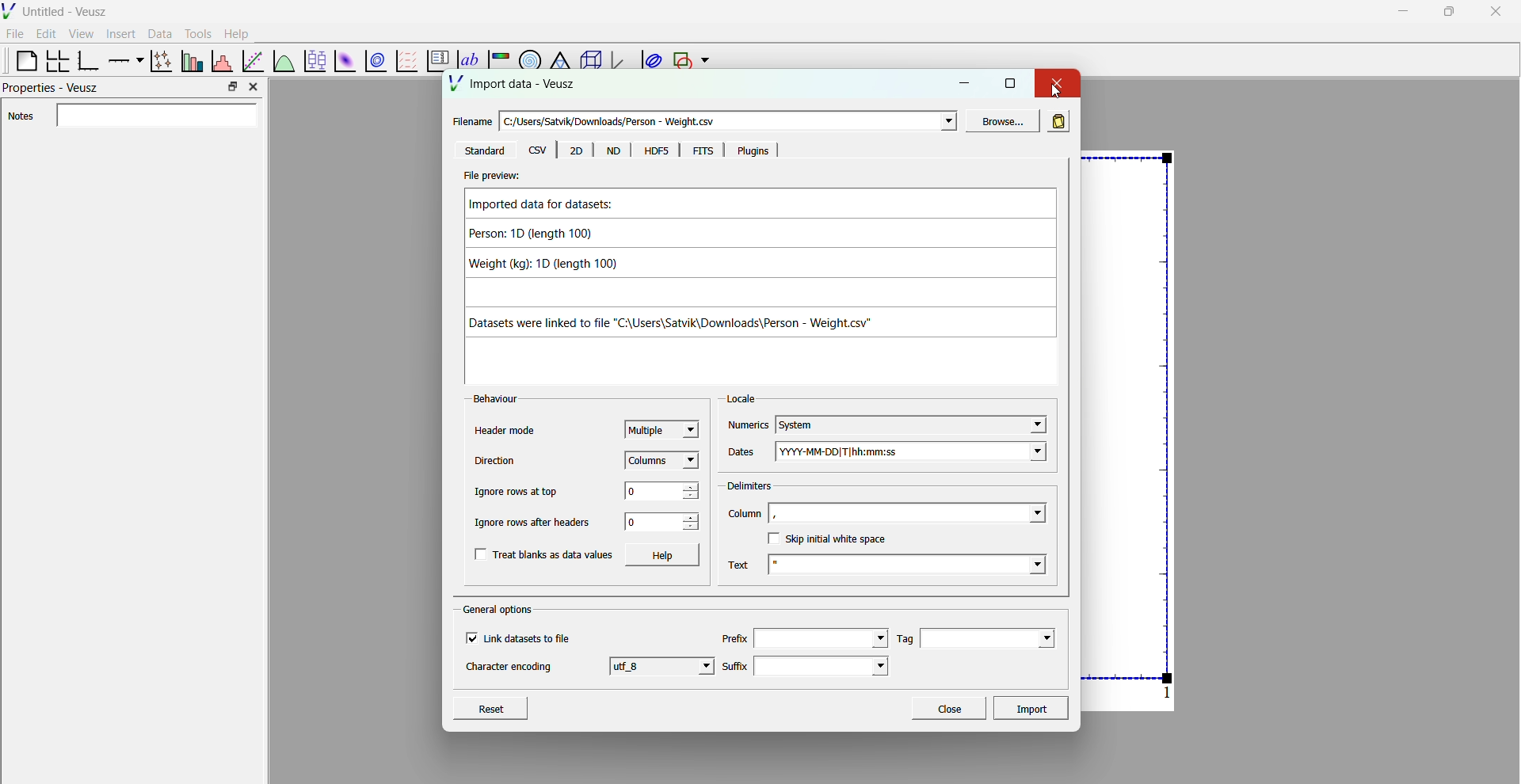 This screenshot has width=1521, height=784. What do you see at coordinates (1003, 120) in the screenshot?
I see `Browse` at bounding box center [1003, 120].